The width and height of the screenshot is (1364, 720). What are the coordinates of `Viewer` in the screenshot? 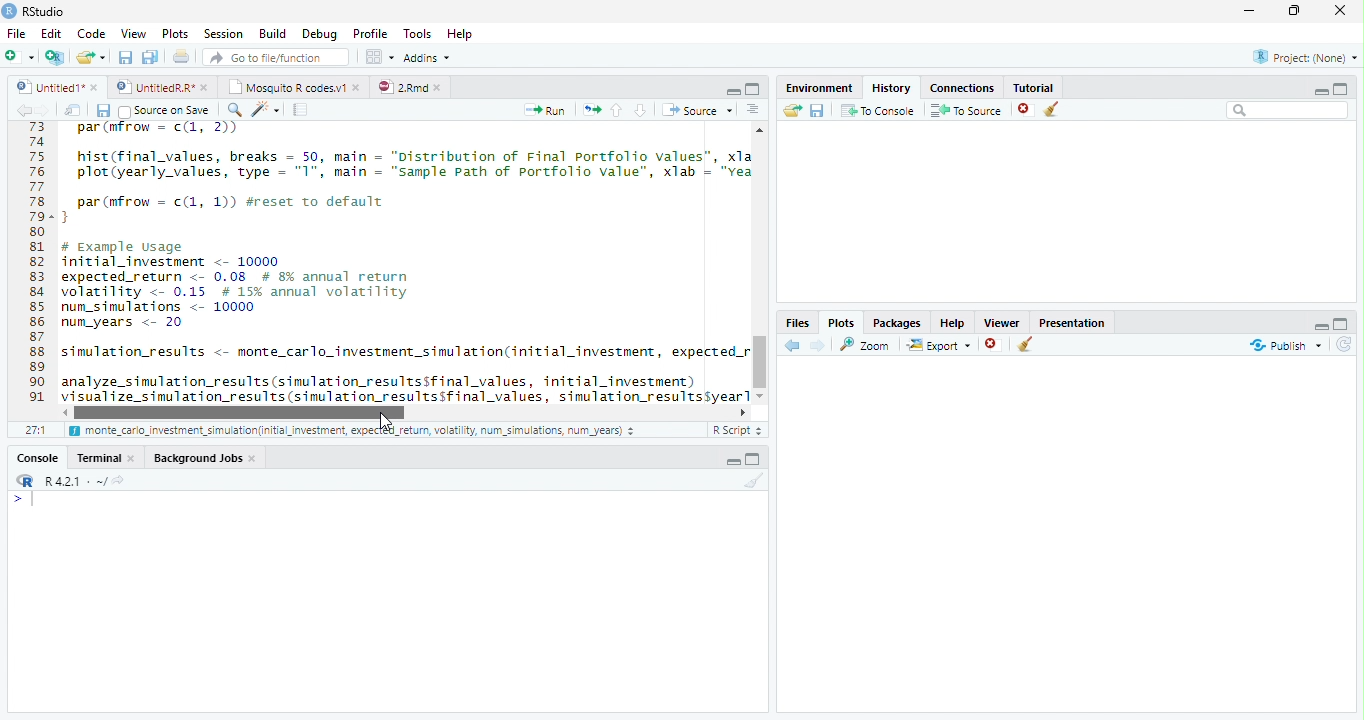 It's located at (1003, 320).